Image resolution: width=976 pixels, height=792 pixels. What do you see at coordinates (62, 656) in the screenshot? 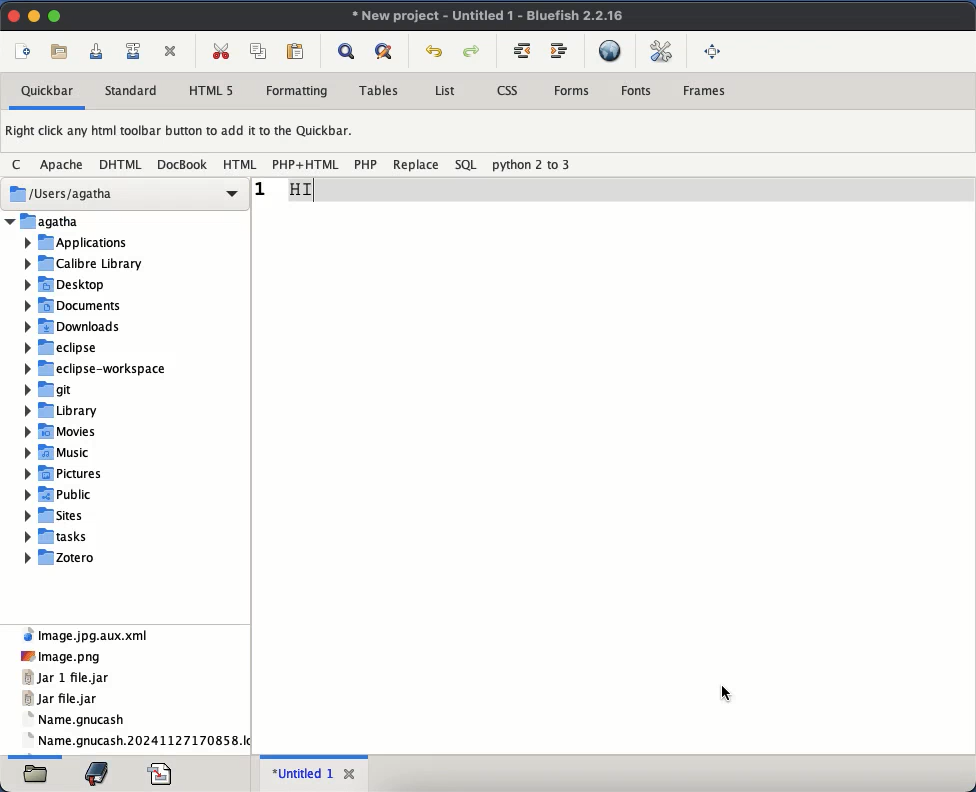
I see `png` at bounding box center [62, 656].